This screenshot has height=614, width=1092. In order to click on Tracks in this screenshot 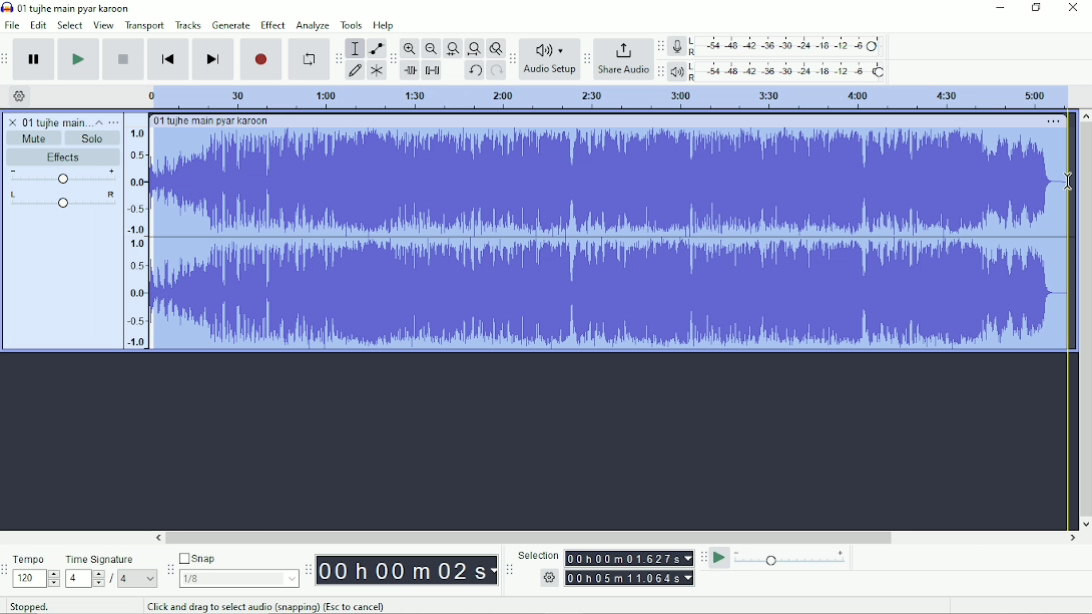, I will do `click(188, 25)`.